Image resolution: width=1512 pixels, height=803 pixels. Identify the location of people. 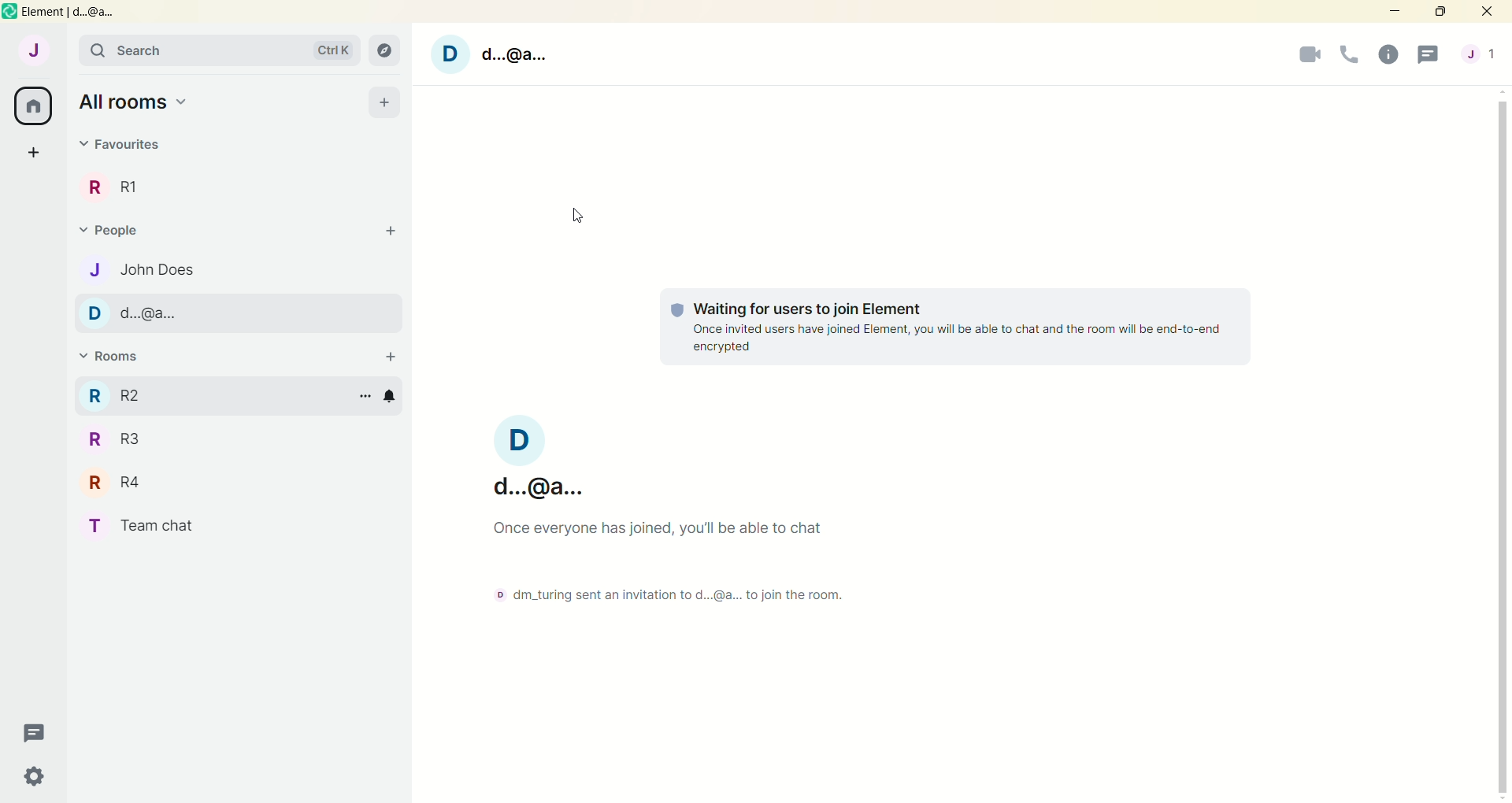
(1478, 54).